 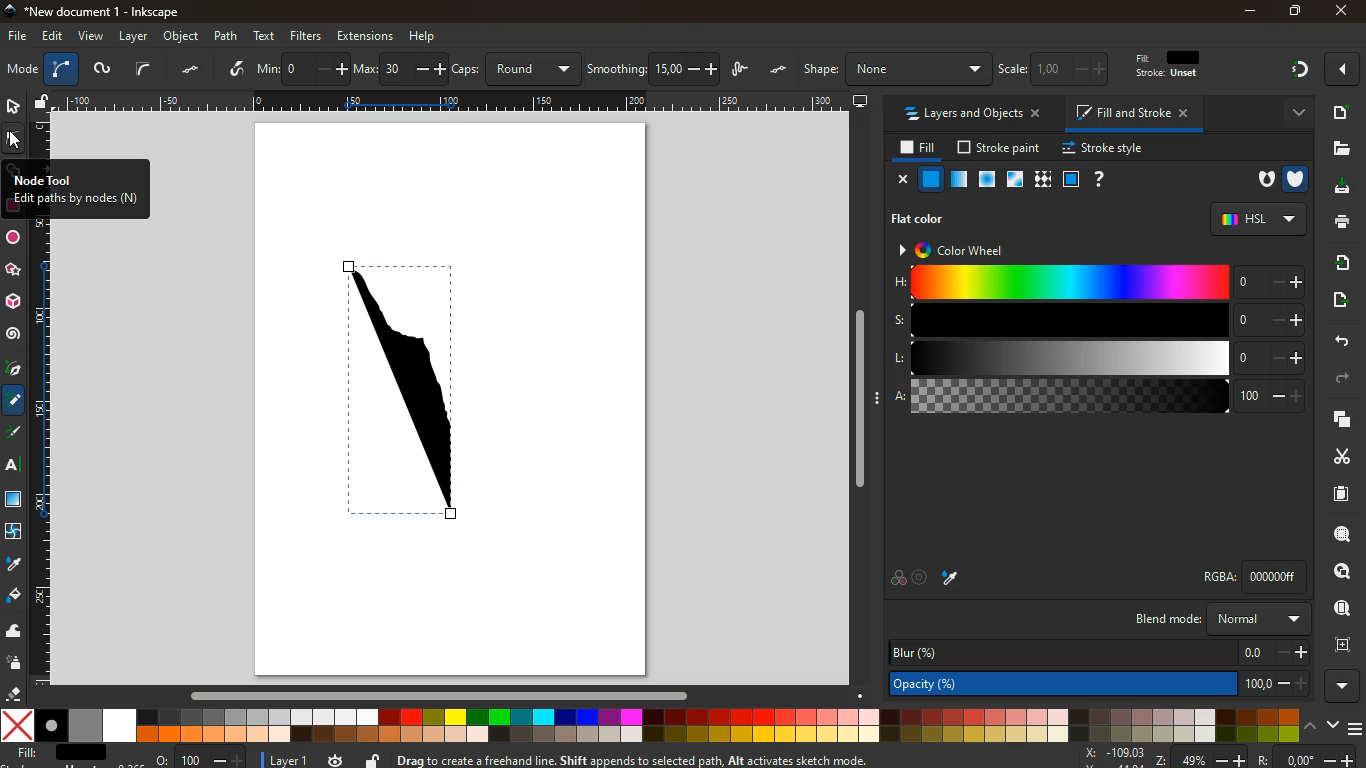 What do you see at coordinates (1339, 493) in the screenshot?
I see `paper` at bounding box center [1339, 493].